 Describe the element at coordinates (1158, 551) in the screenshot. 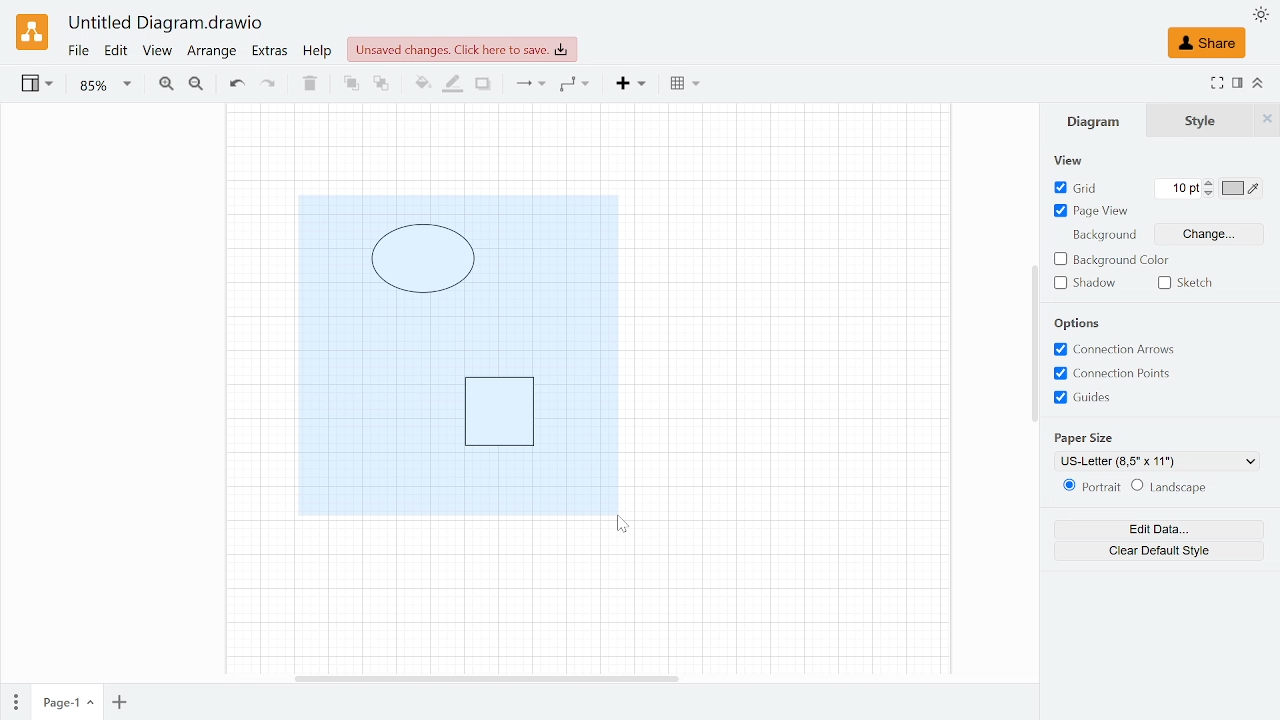

I see `Clear default style` at that location.